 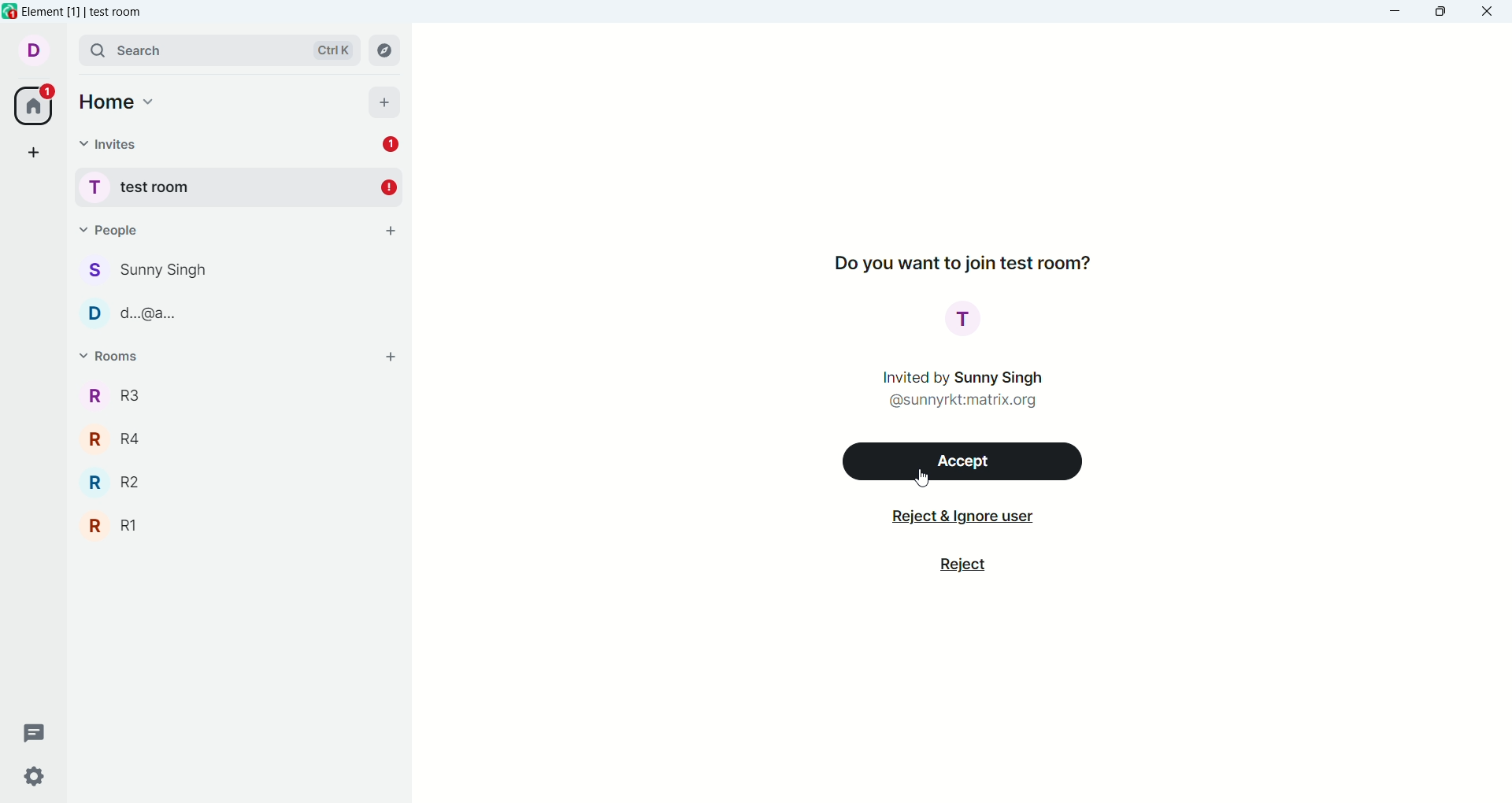 I want to click on R1, so click(x=236, y=526).